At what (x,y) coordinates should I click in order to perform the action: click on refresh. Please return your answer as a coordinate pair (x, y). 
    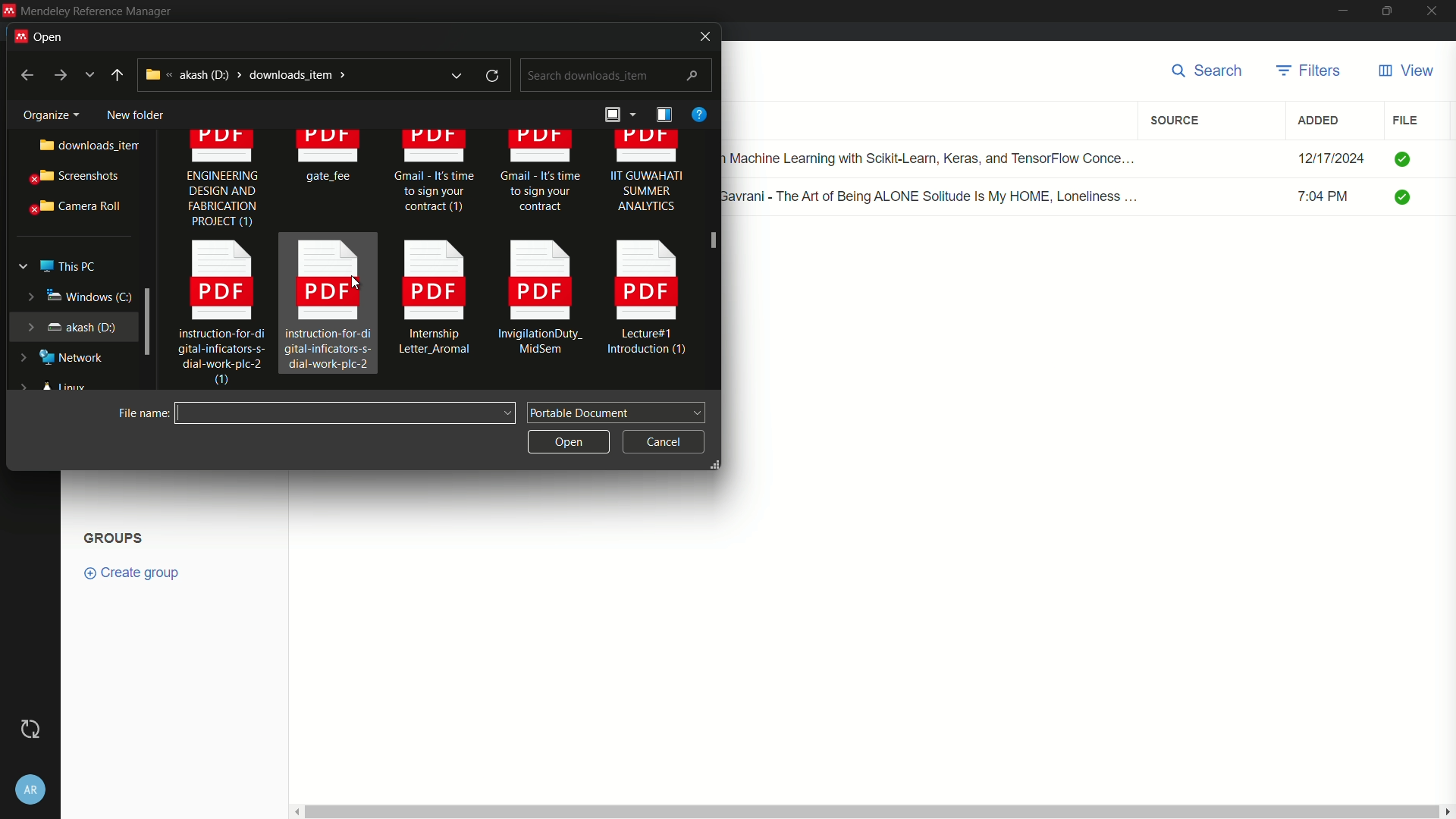
    Looking at the image, I should click on (494, 76).